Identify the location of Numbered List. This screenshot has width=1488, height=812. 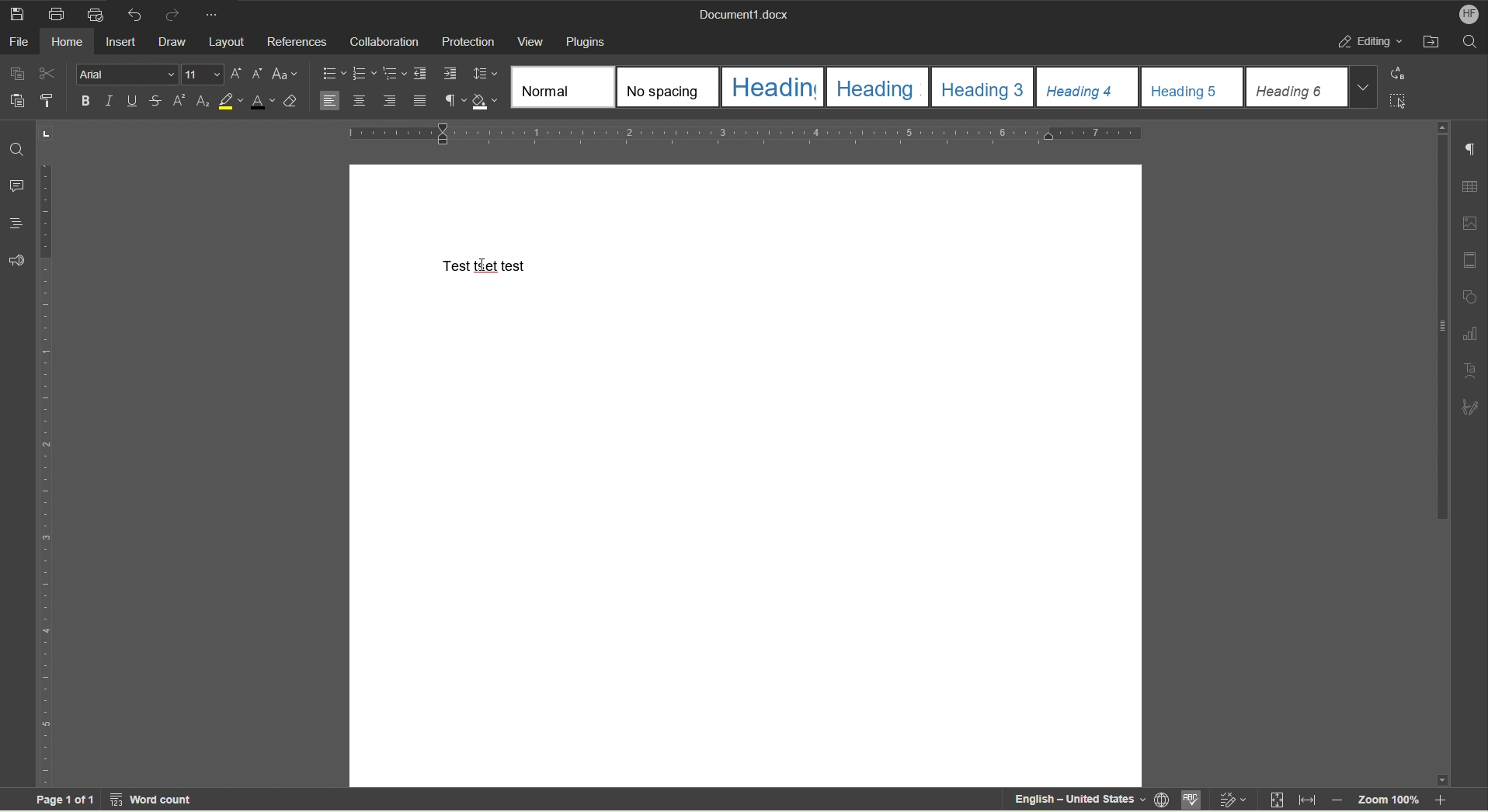
(363, 74).